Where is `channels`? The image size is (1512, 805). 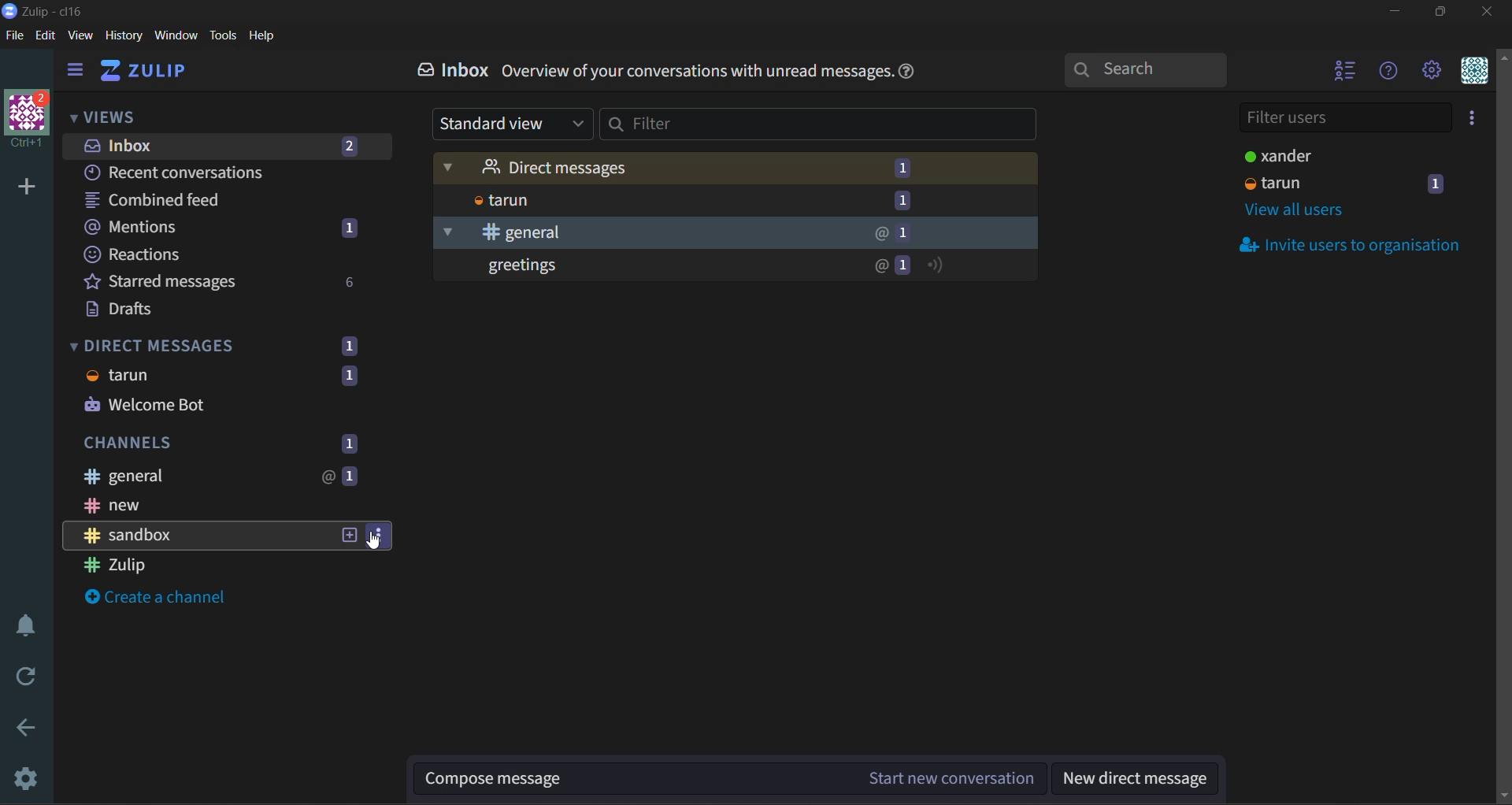 channels is located at coordinates (235, 441).